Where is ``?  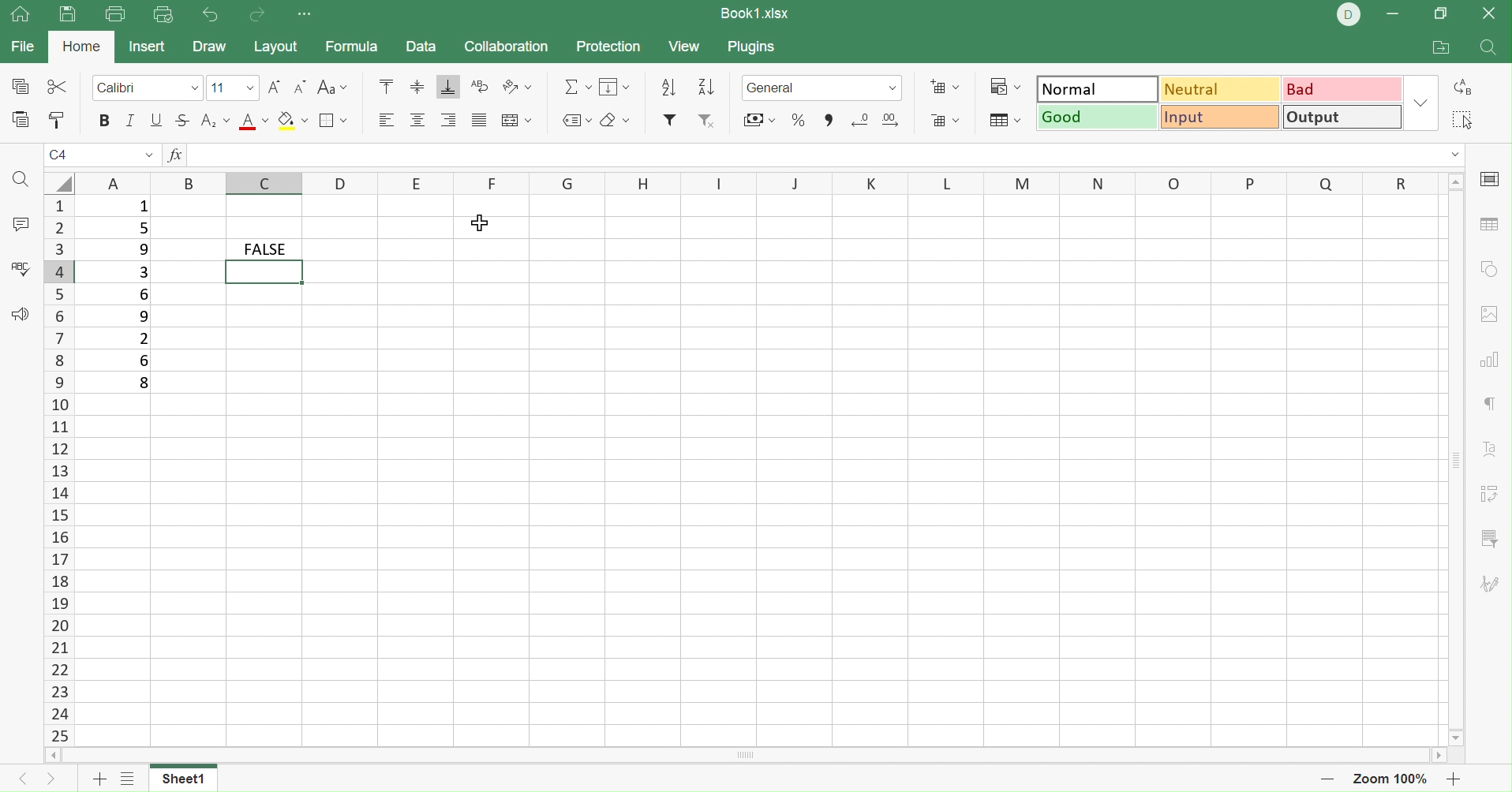
 is located at coordinates (215, 121).